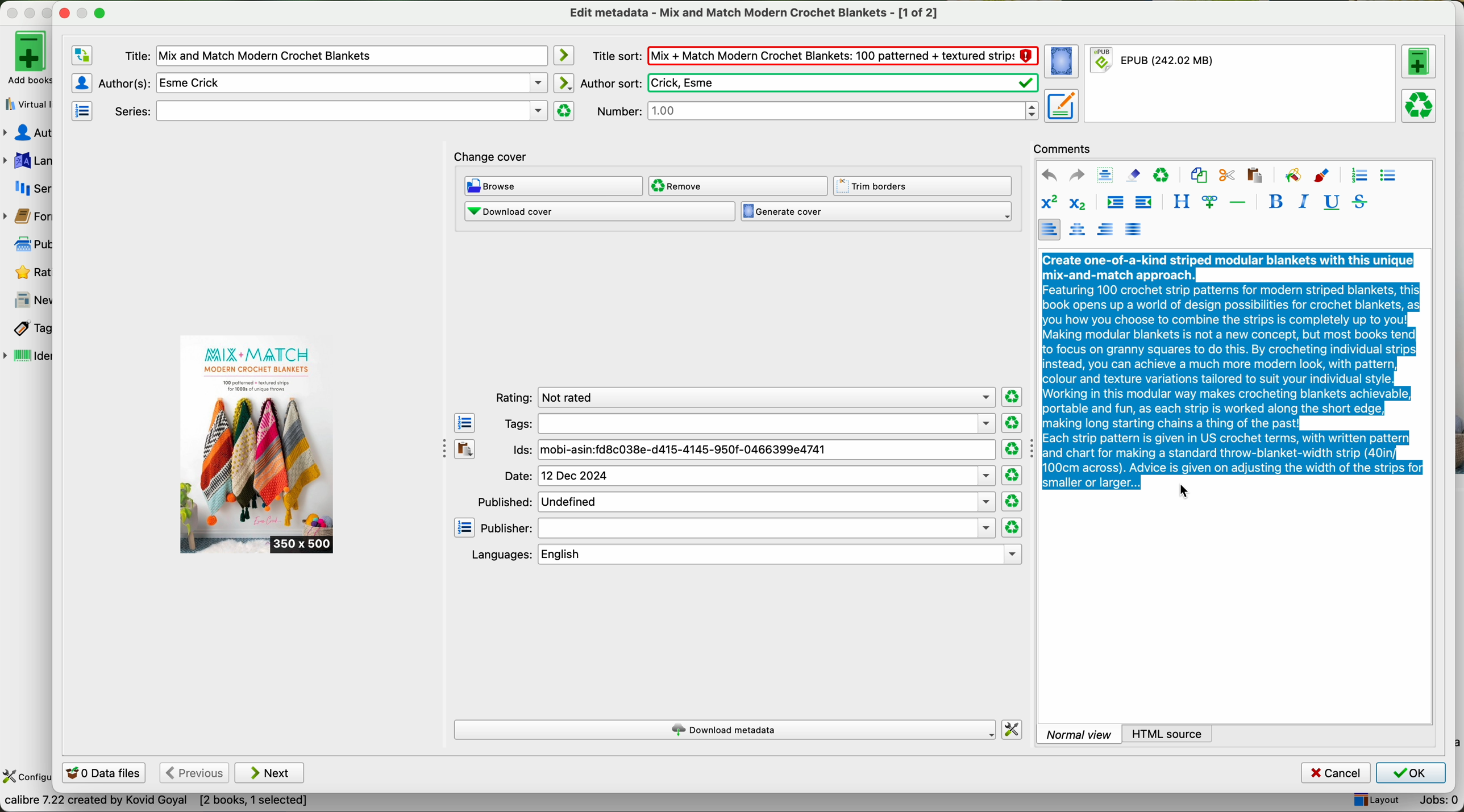  What do you see at coordinates (1011, 423) in the screenshot?
I see `clear rating` at bounding box center [1011, 423].